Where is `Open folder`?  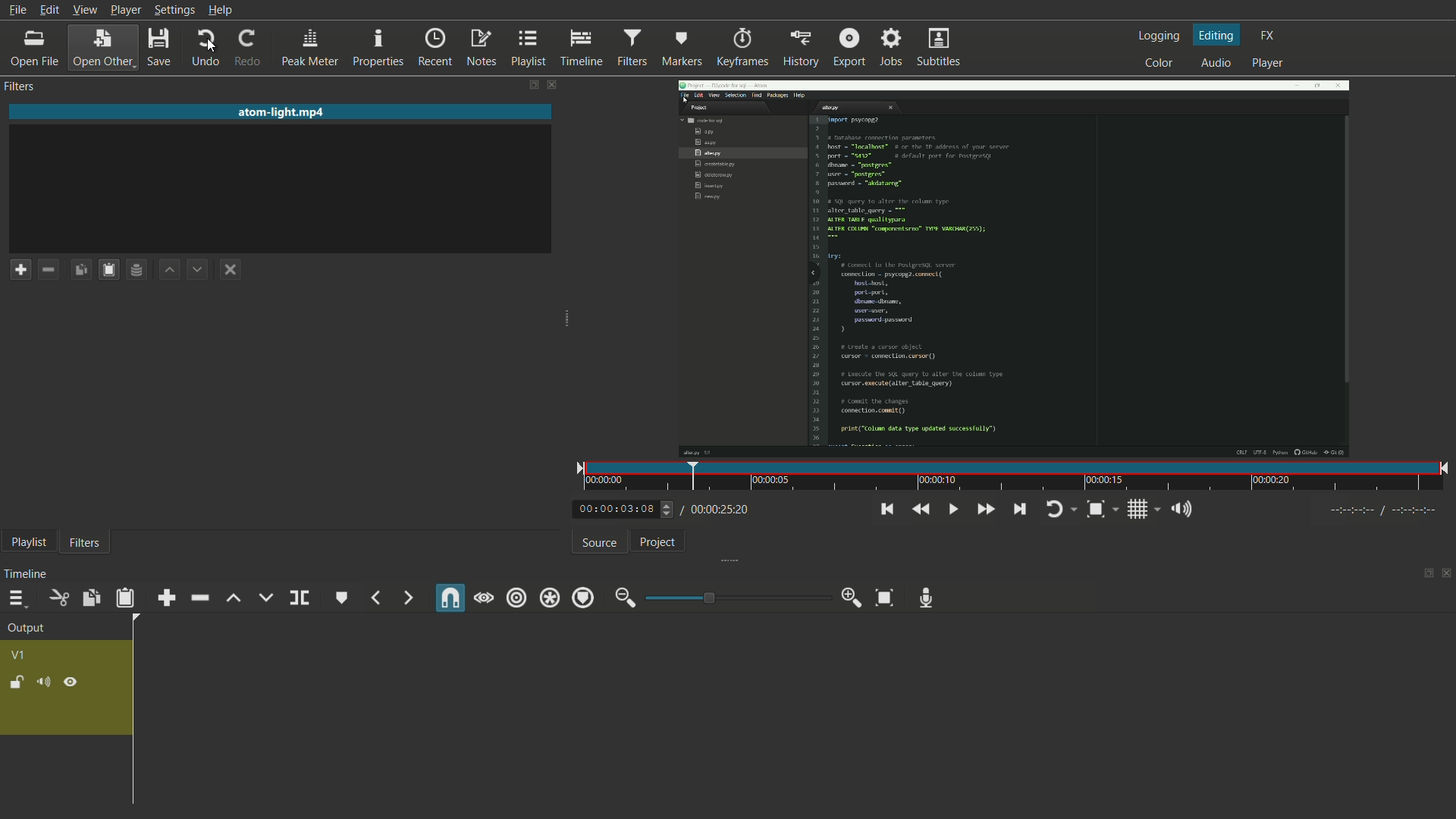 Open folder is located at coordinates (101, 49).